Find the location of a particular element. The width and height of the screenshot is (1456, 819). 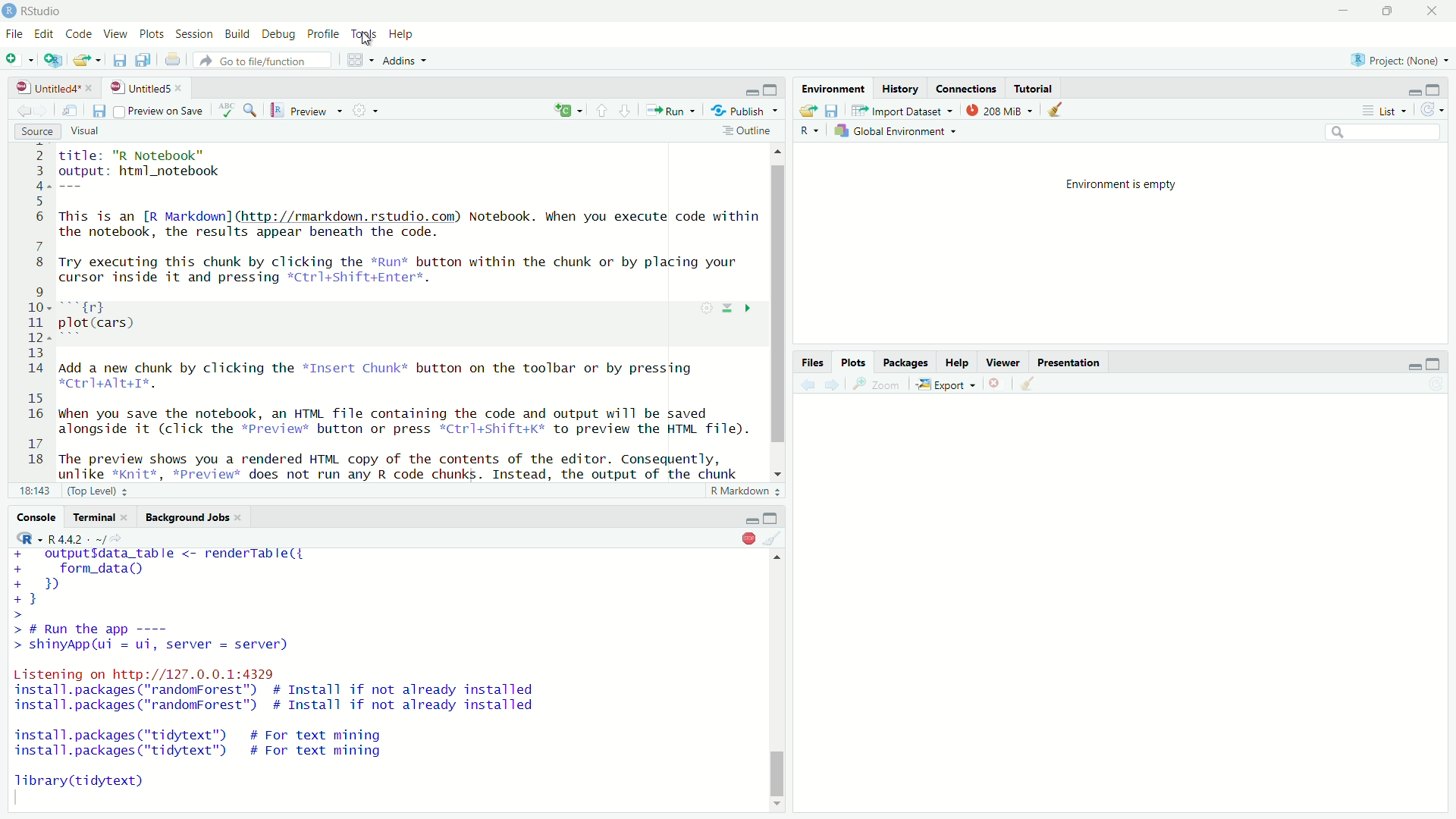

Connections is located at coordinates (966, 88).